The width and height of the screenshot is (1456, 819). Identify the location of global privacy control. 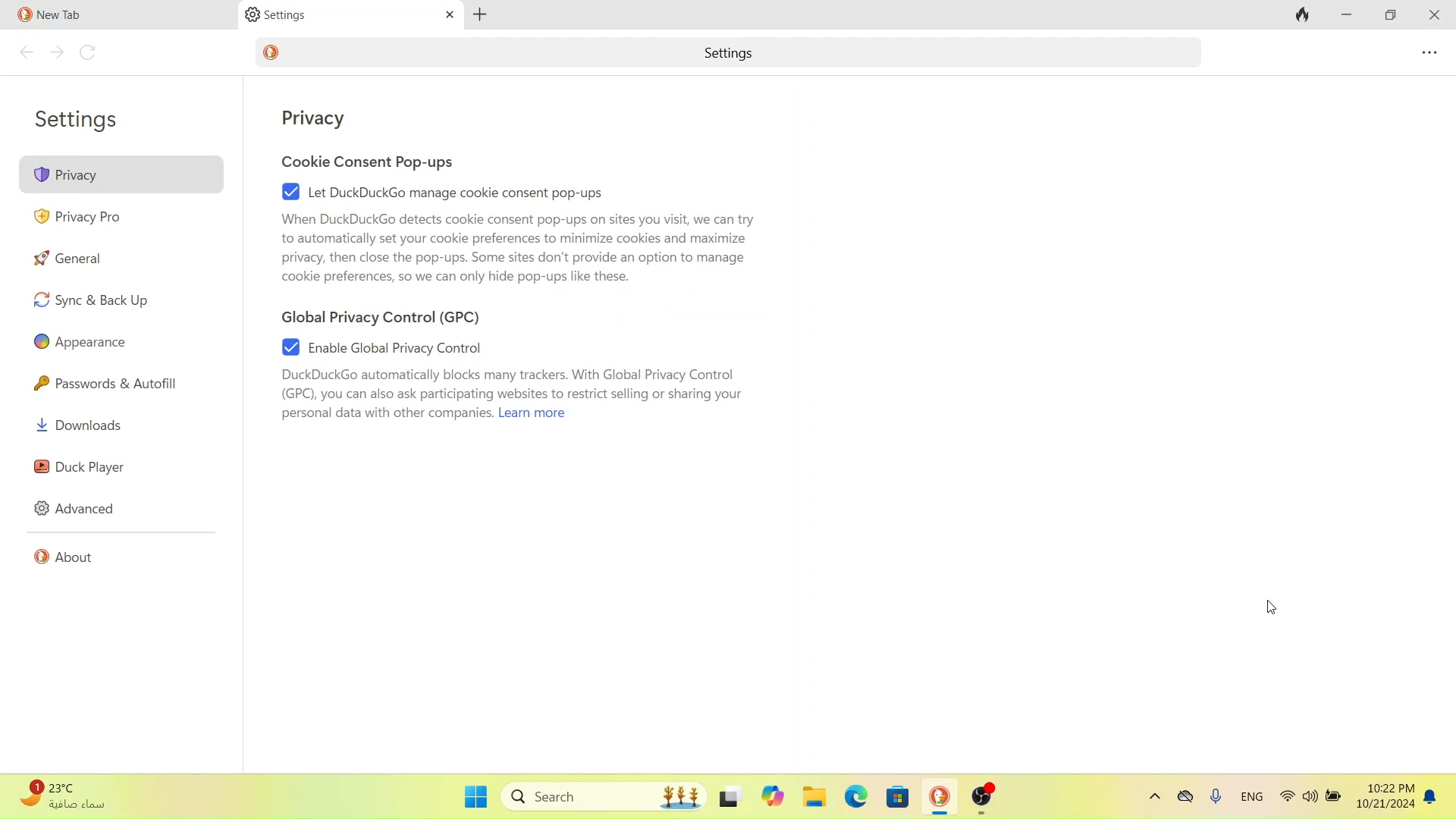
(397, 315).